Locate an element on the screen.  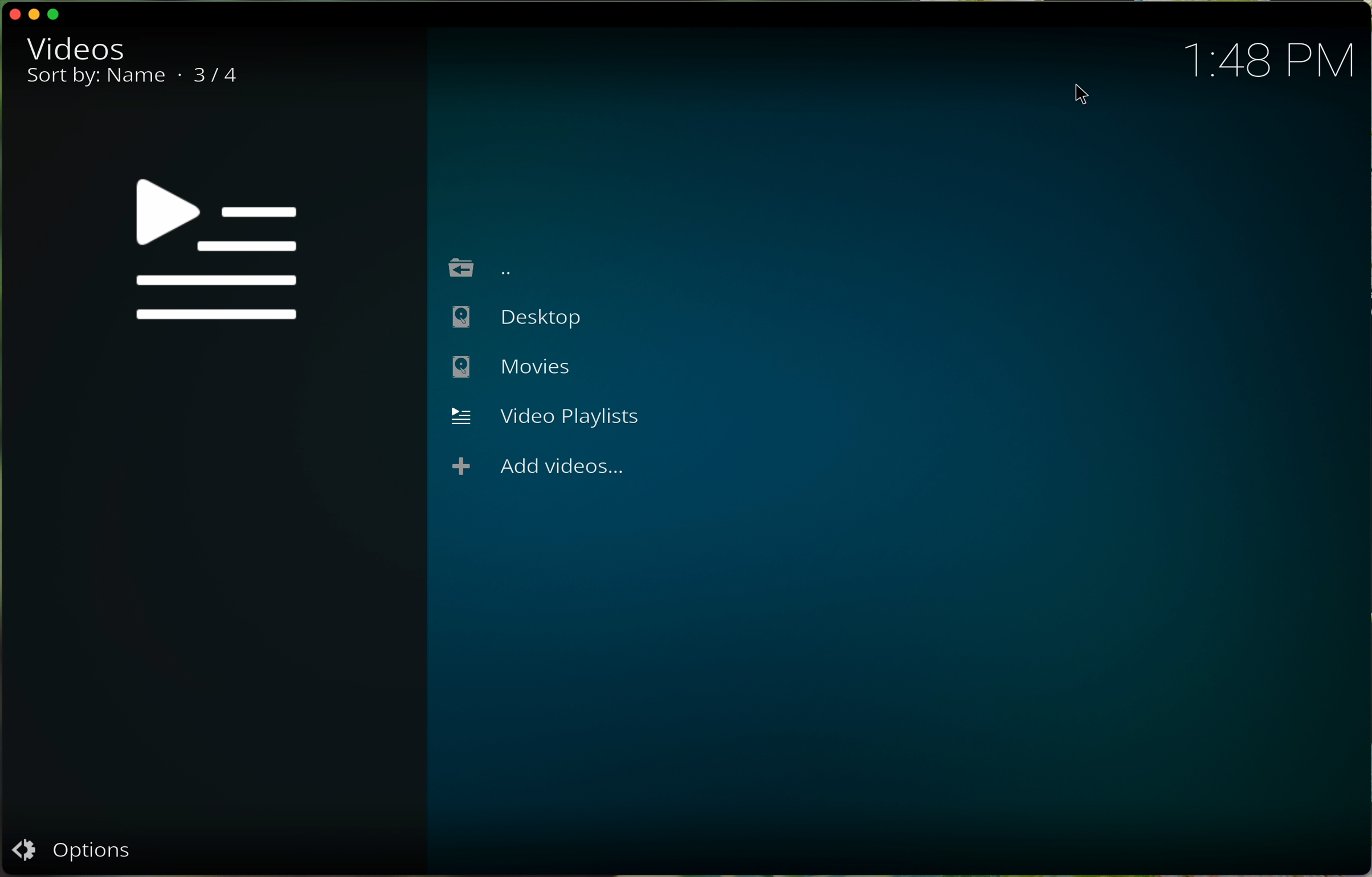
movies is located at coordinates (518, 364).